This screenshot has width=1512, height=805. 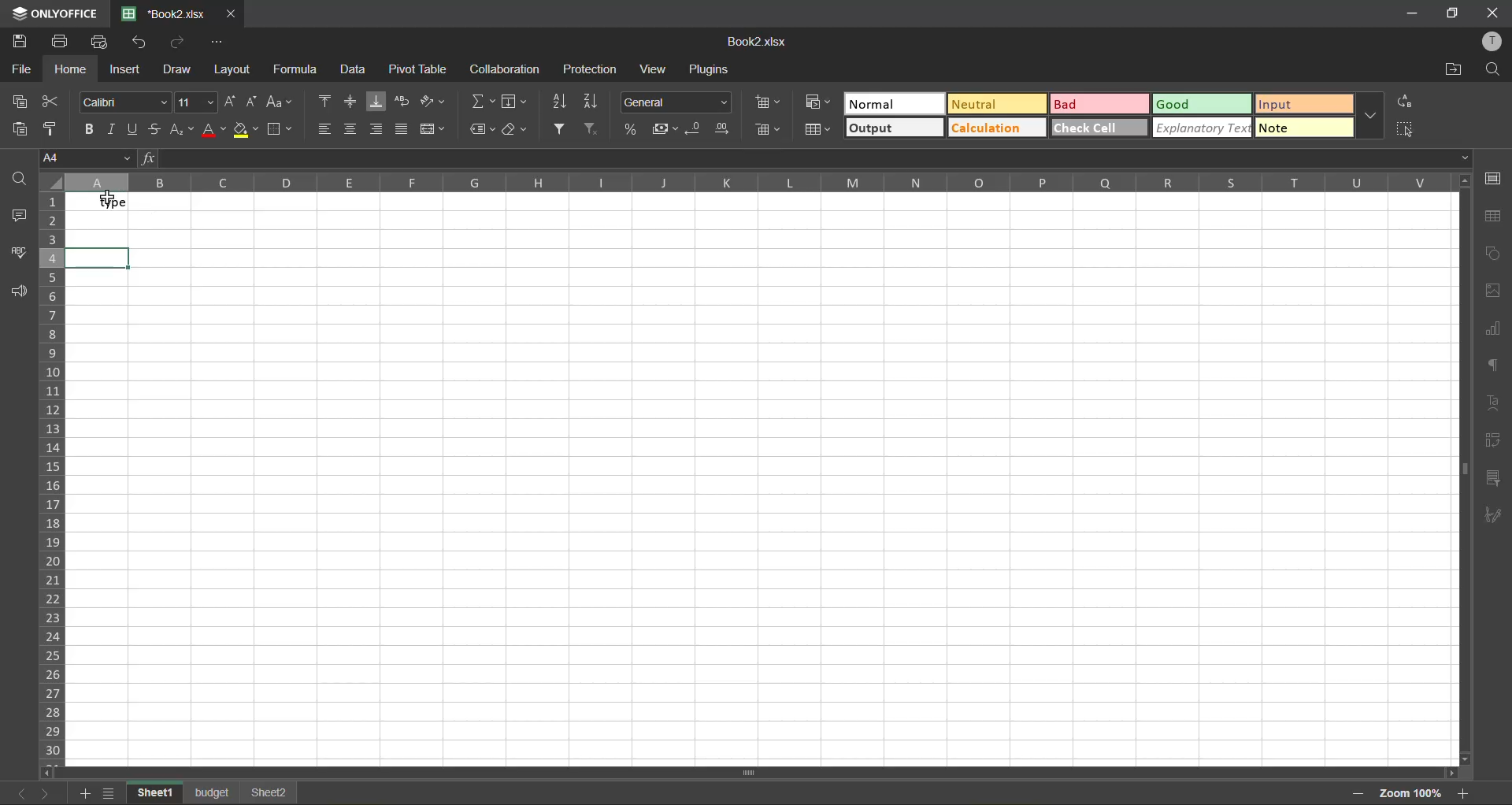 I want to click on row numbers, so click(x=56, y=479).